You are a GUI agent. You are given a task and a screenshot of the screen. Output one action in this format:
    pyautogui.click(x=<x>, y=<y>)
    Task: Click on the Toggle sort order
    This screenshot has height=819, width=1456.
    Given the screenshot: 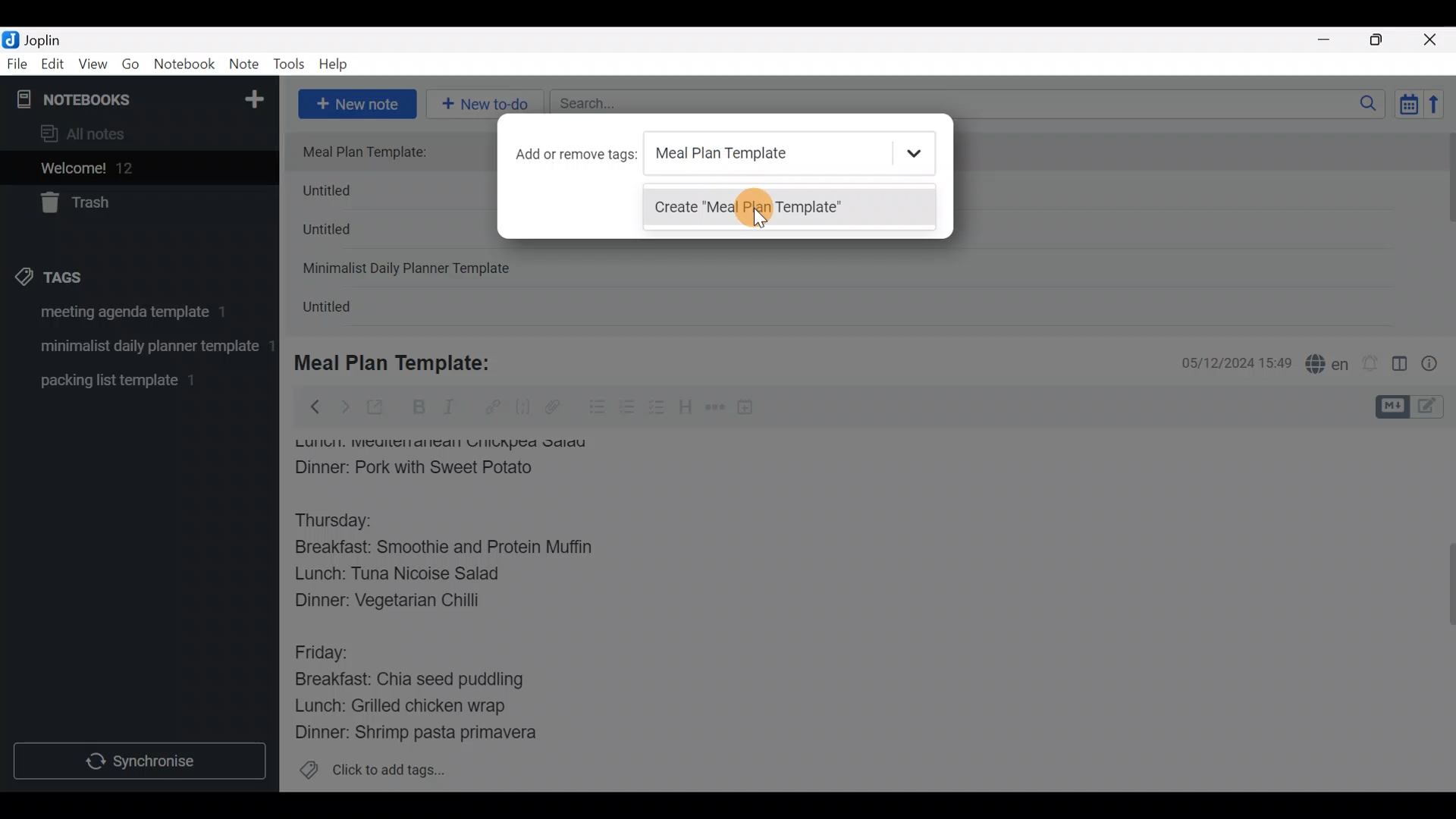 What is the action you would take?
    pyautogui.click(x=1408, y=105)
    